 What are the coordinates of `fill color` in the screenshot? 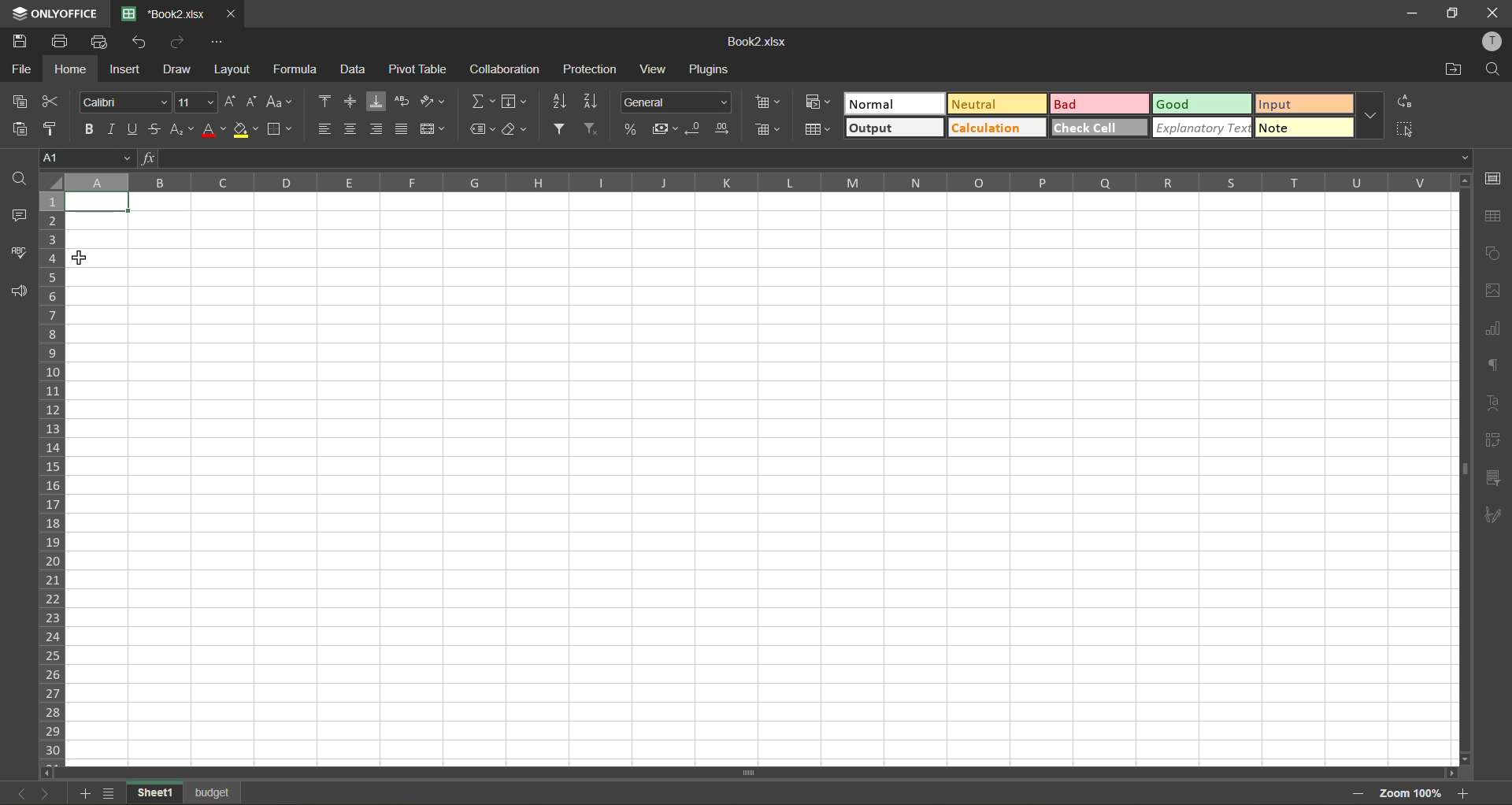 It's located at (246, 129).